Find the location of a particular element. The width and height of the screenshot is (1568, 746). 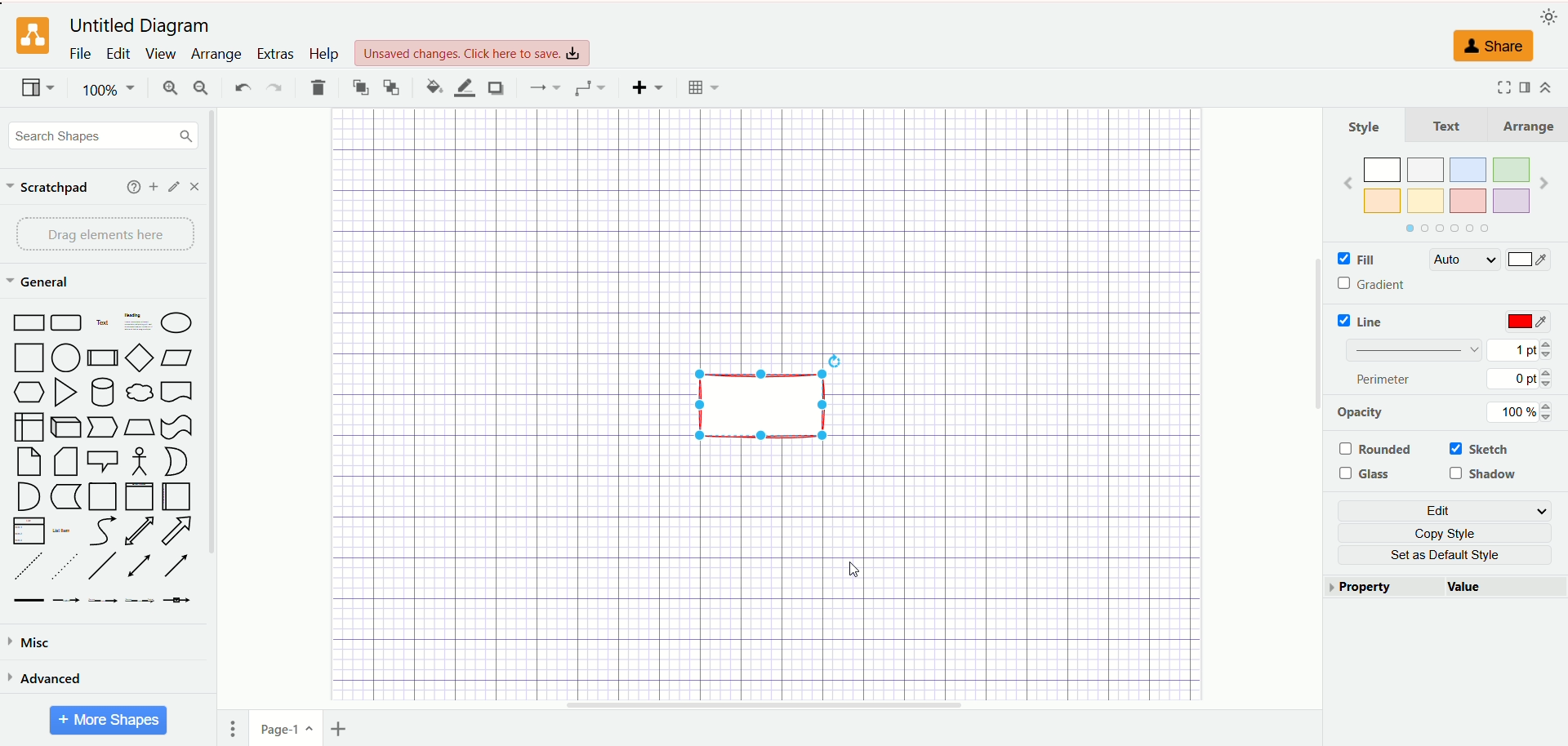

text is located at coordinates (1449, 125).